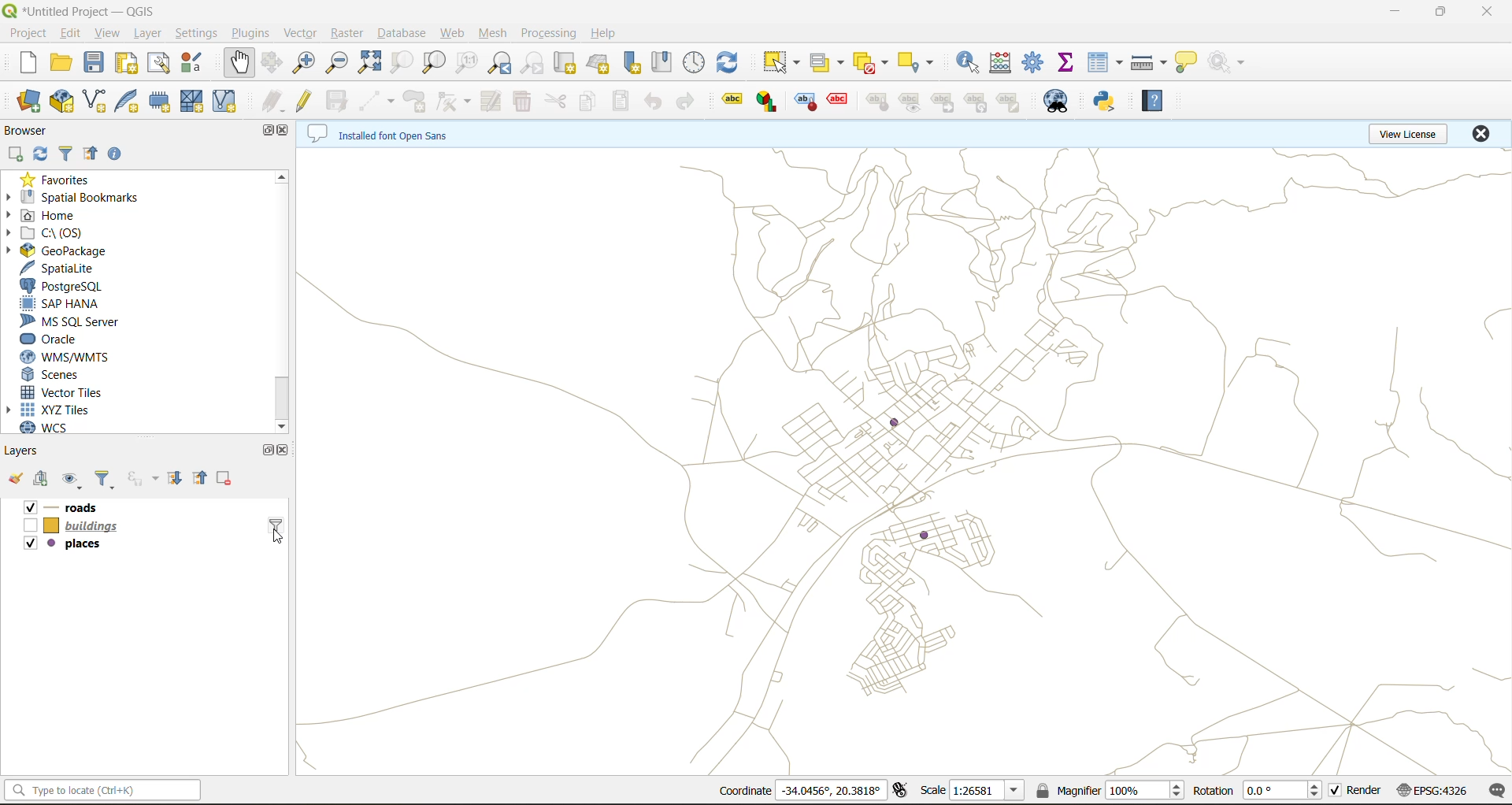  Describe the element at coordinates (146, 35) in the screenshot. I see `layer` at that location.